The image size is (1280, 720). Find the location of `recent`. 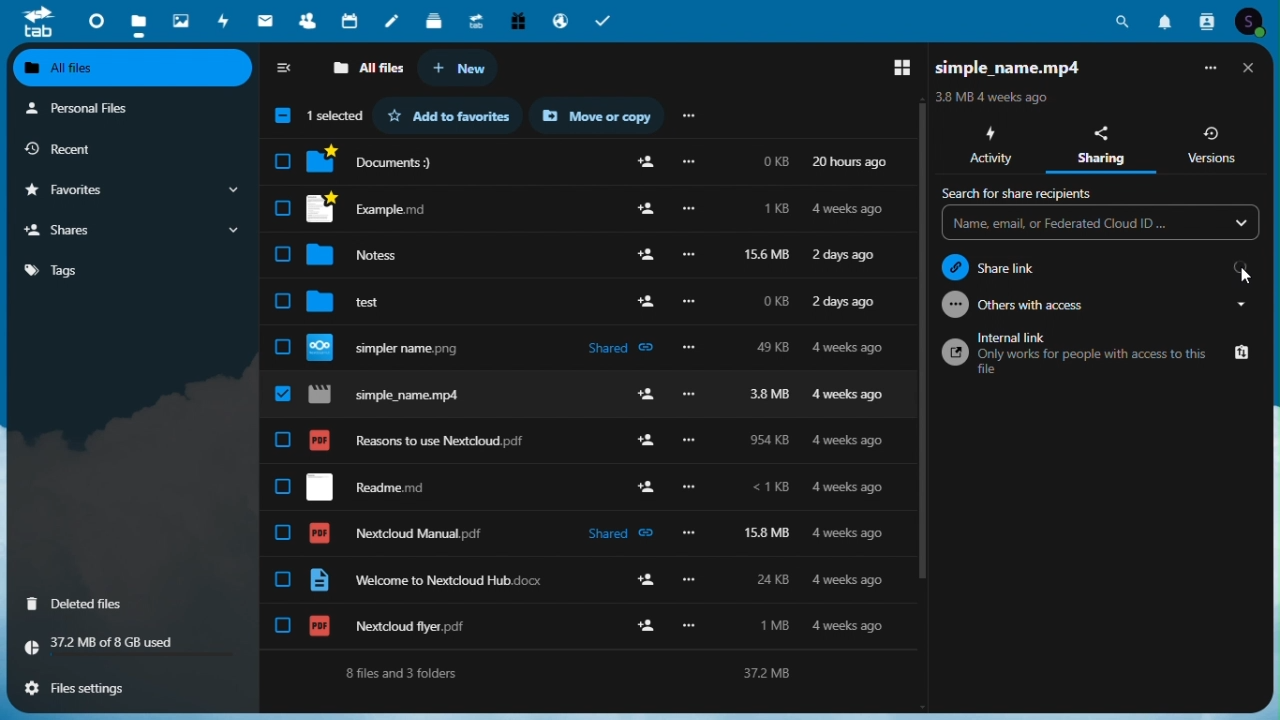

recent is located at coordinates (122, 148).